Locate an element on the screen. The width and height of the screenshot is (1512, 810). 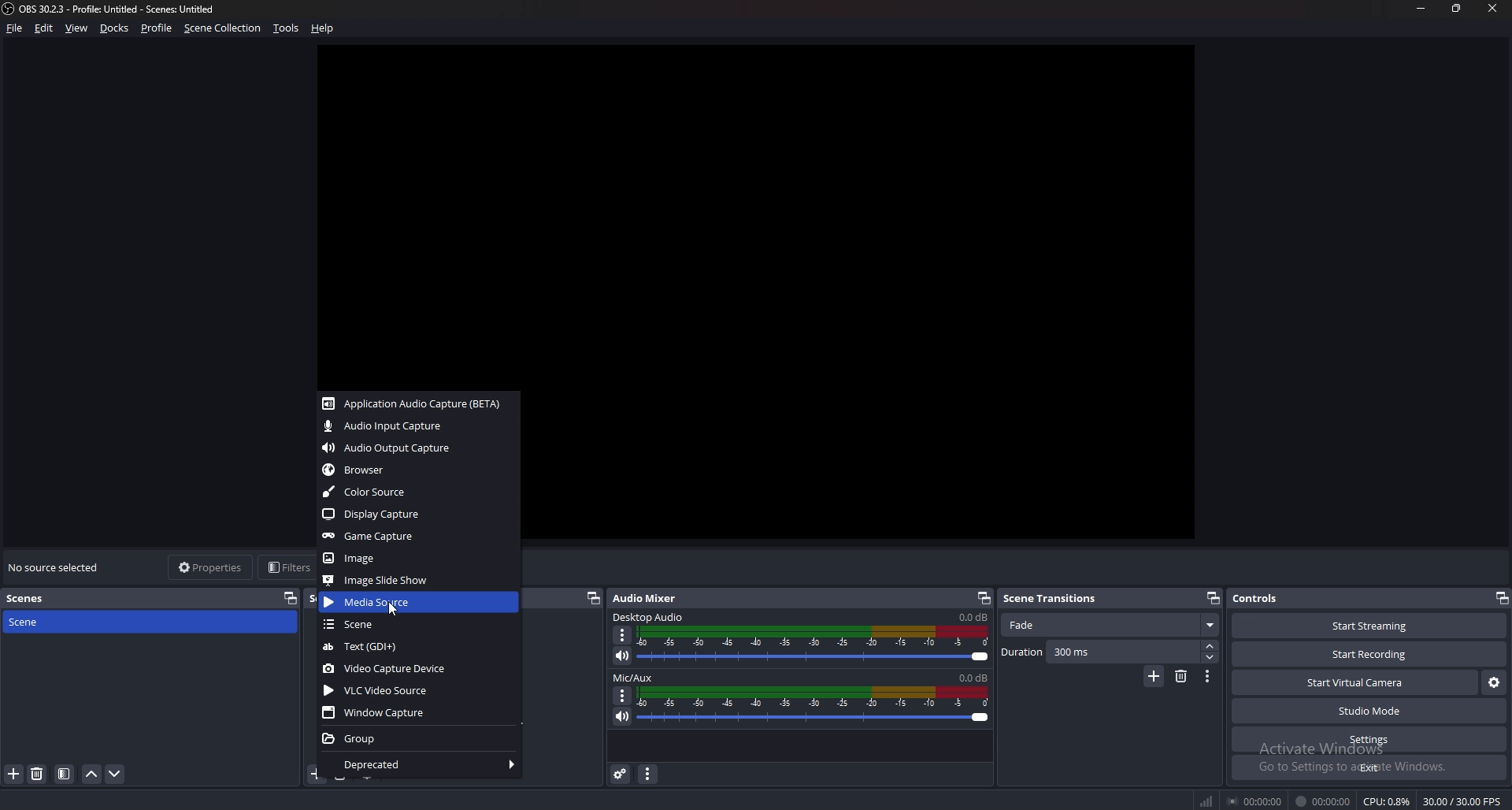
view is located at coordinates (77, 29).